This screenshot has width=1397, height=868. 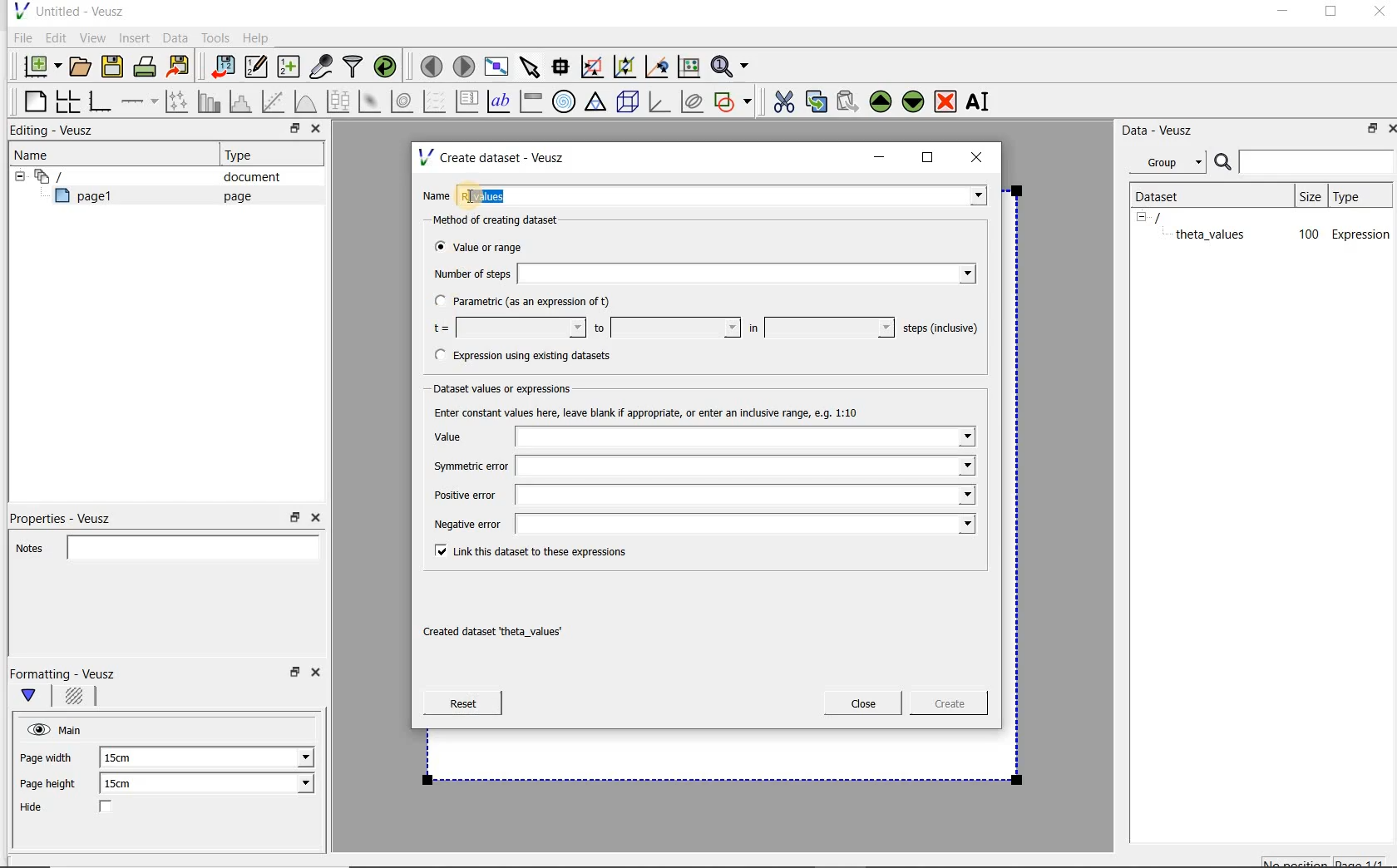 I want to click on plot covariance ellipses, so click(x=693, y=101).